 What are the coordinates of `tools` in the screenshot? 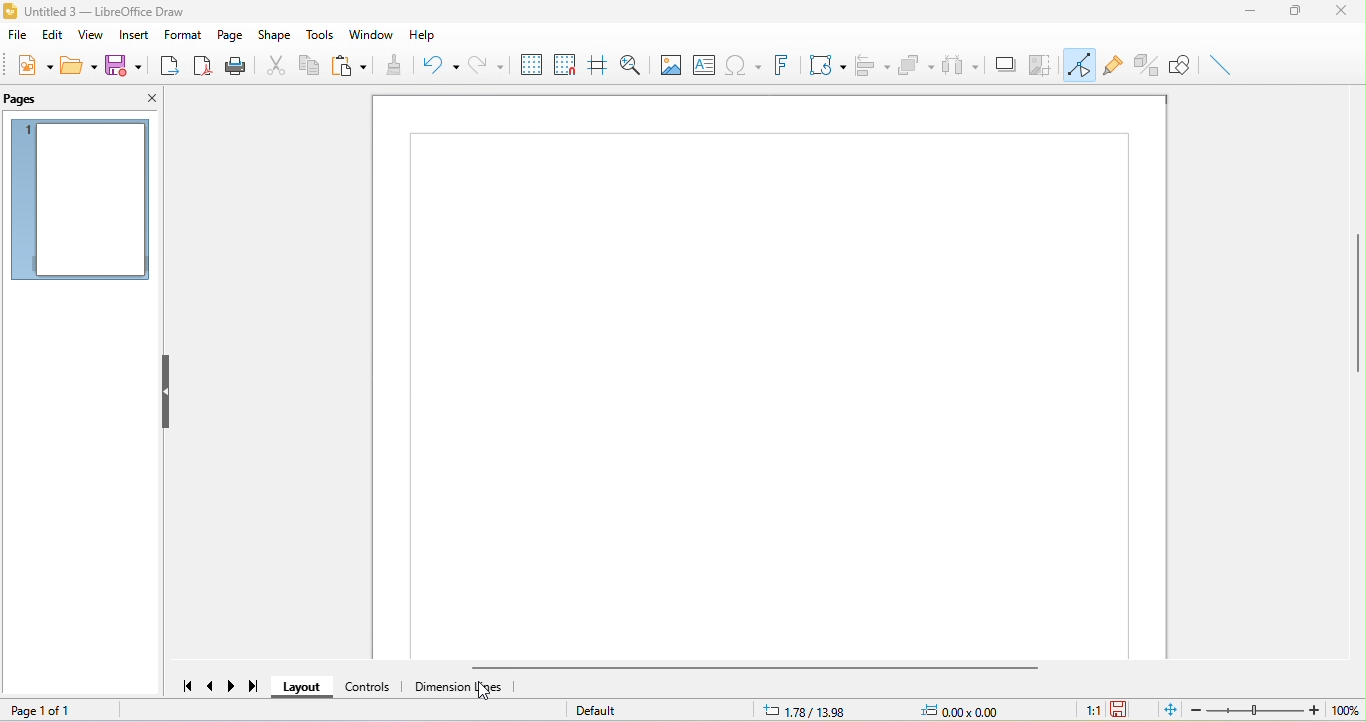 It's located at (317, 35).